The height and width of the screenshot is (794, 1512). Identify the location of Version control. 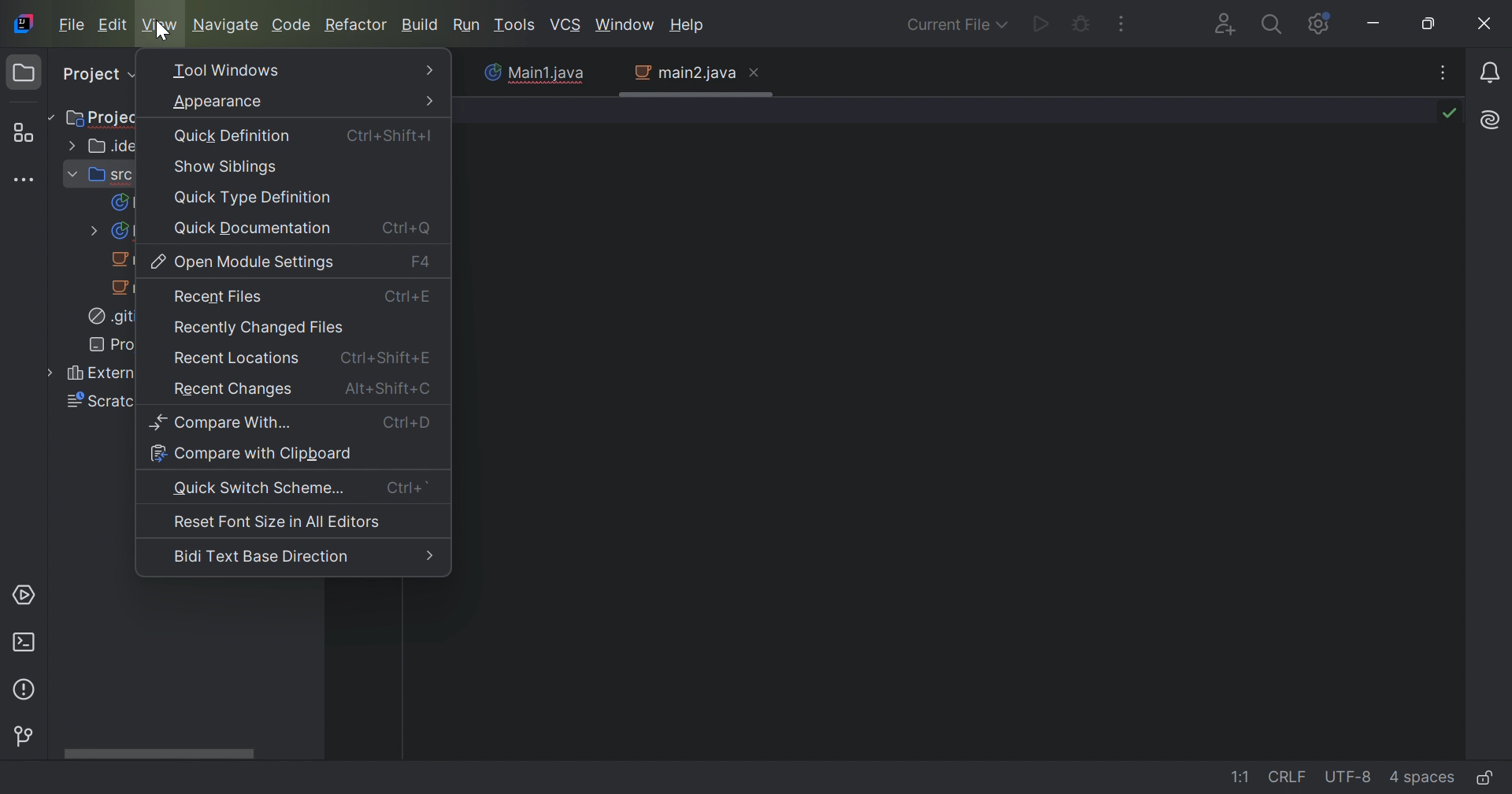
(27, 737).